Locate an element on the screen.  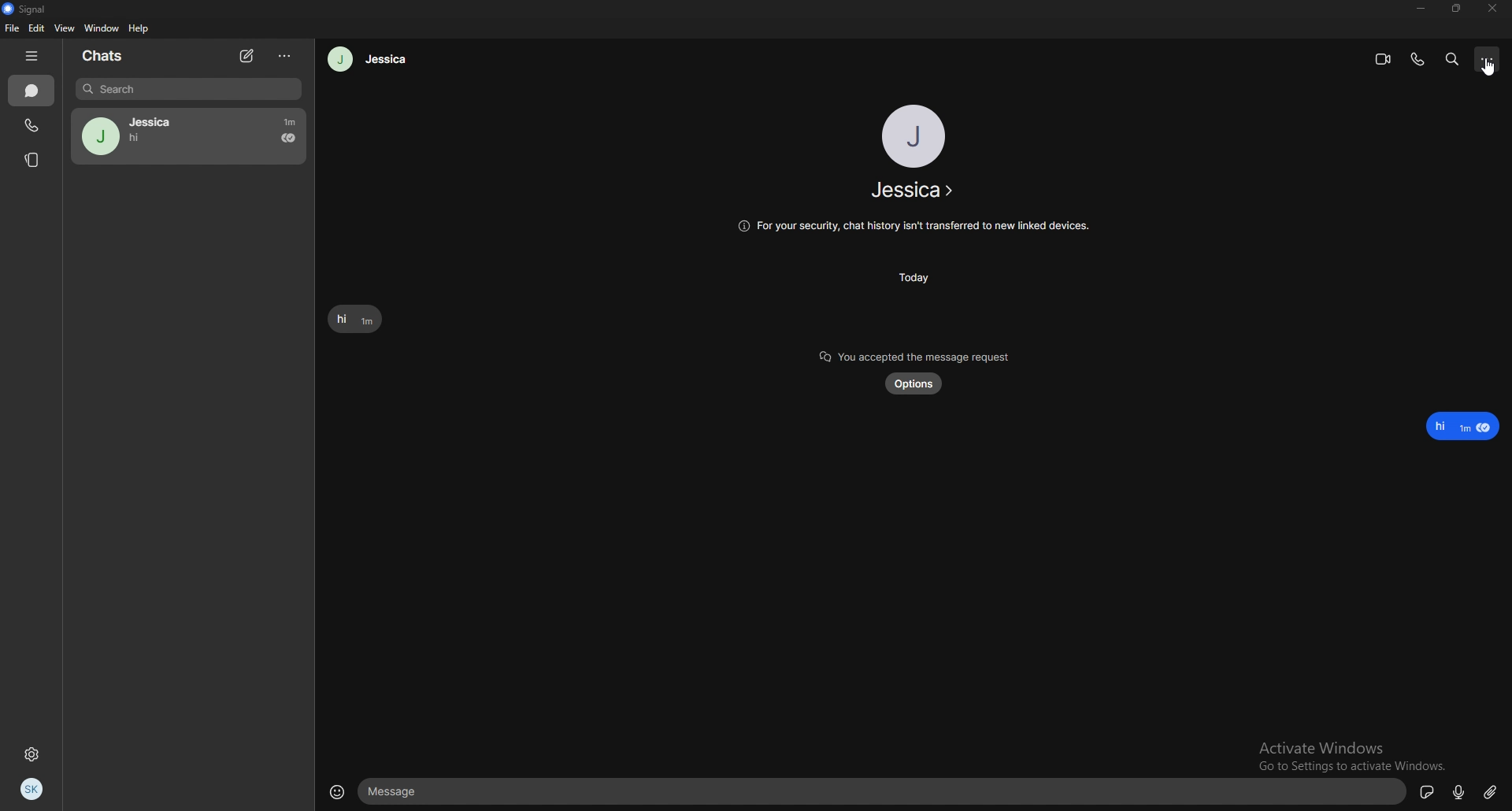
Close is located at coordinates (1493, 9).